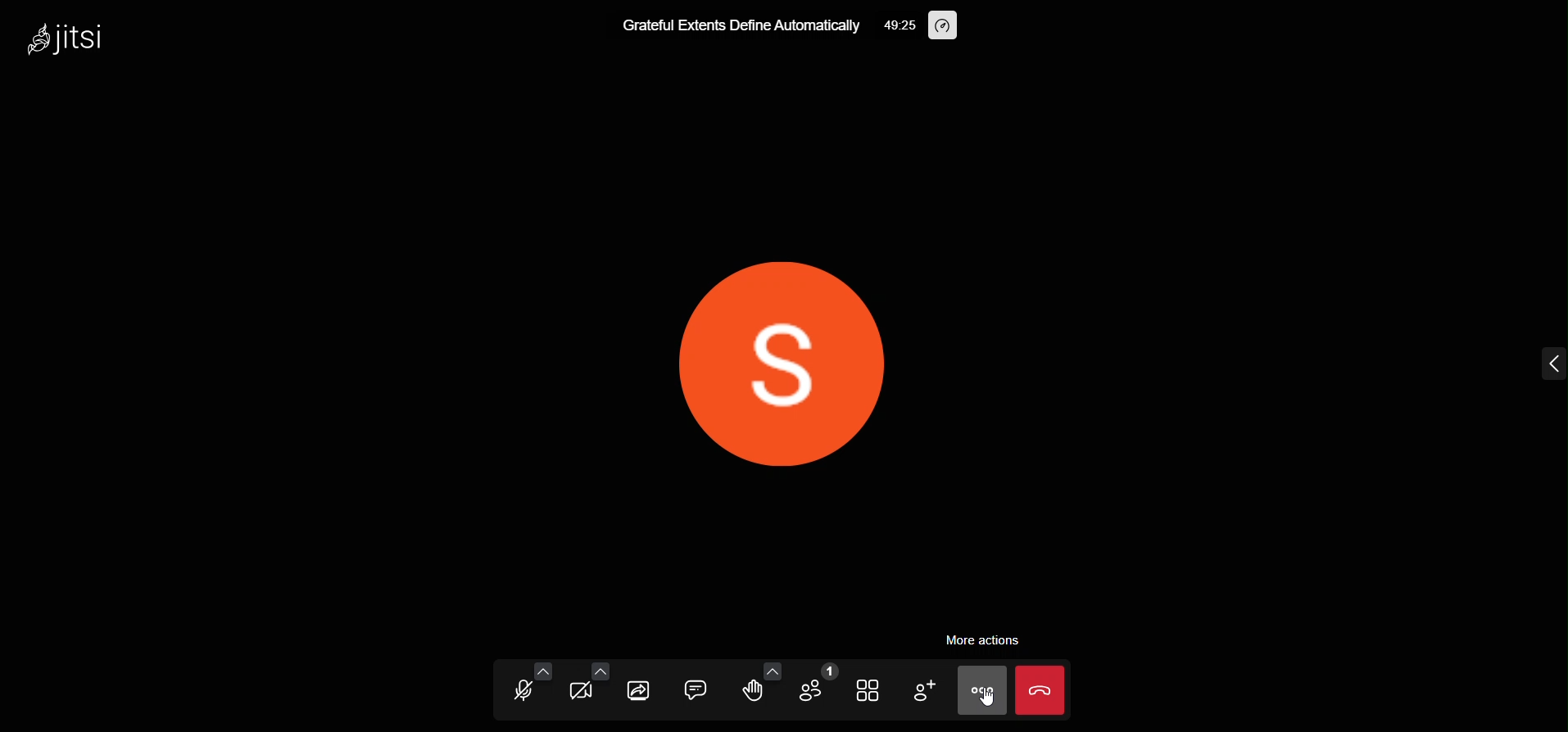  I want to click on chat, so click(698, 687).